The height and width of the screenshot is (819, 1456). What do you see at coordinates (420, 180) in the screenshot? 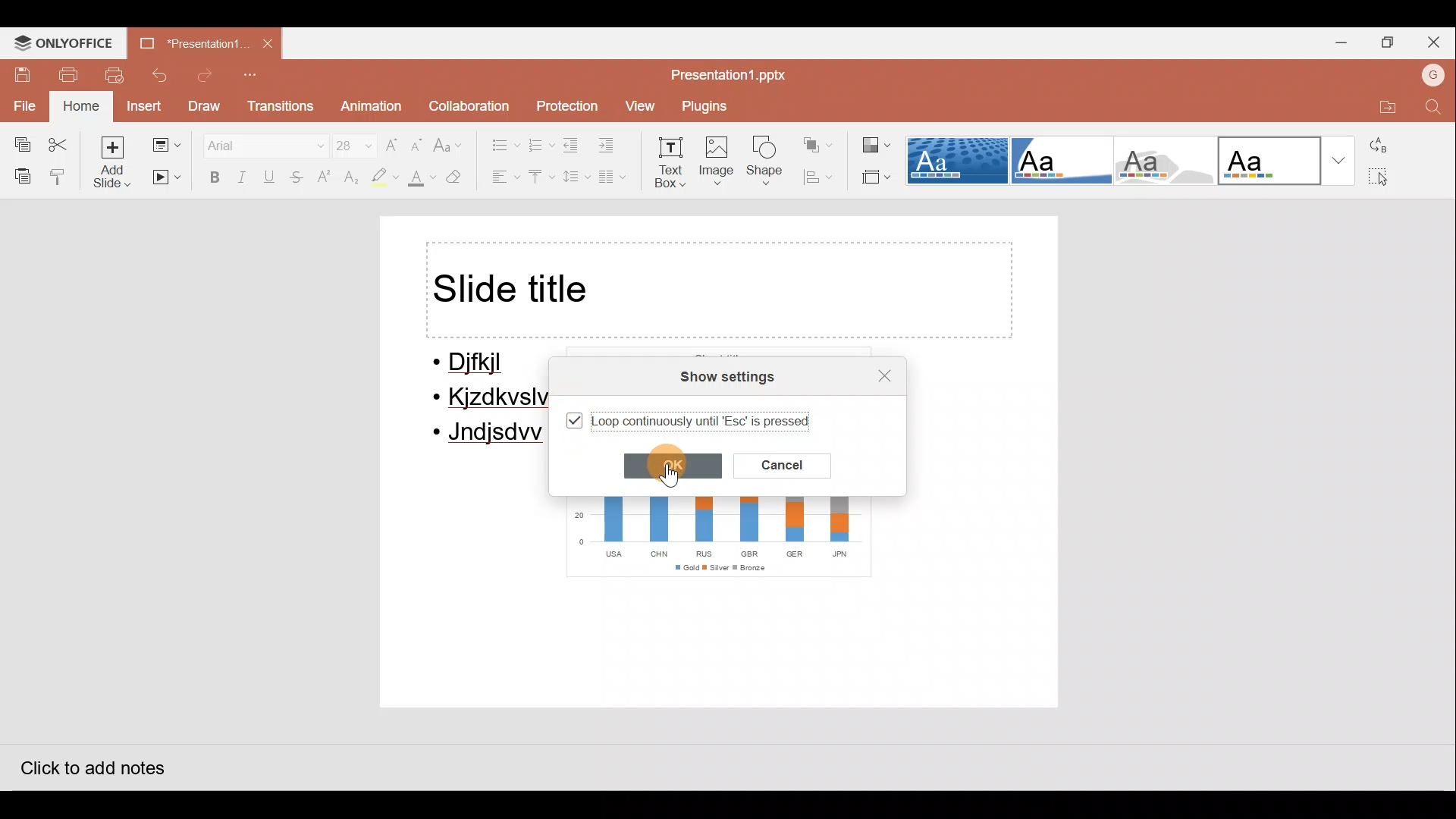
I see `Fill colour` at bounding box center [420, 180].